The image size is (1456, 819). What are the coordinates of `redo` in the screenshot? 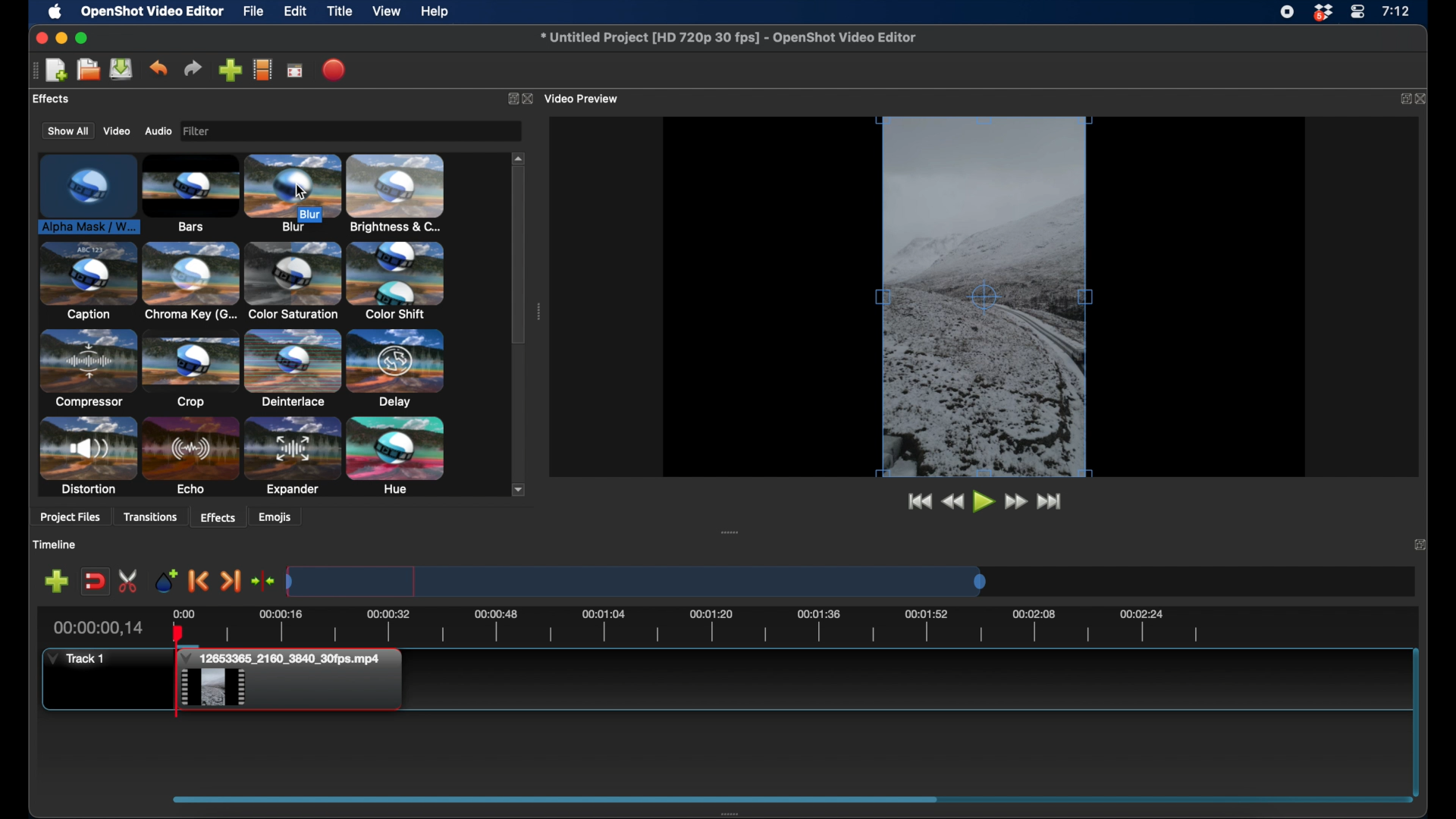 It's located at (193, 68).